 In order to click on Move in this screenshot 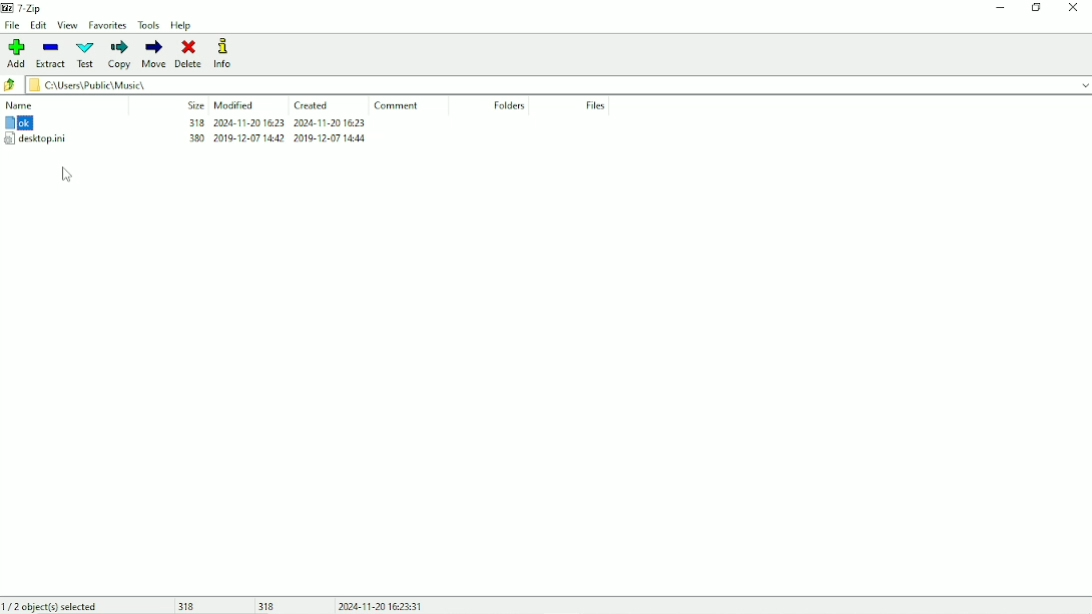, I will do `click(153, 54)`.